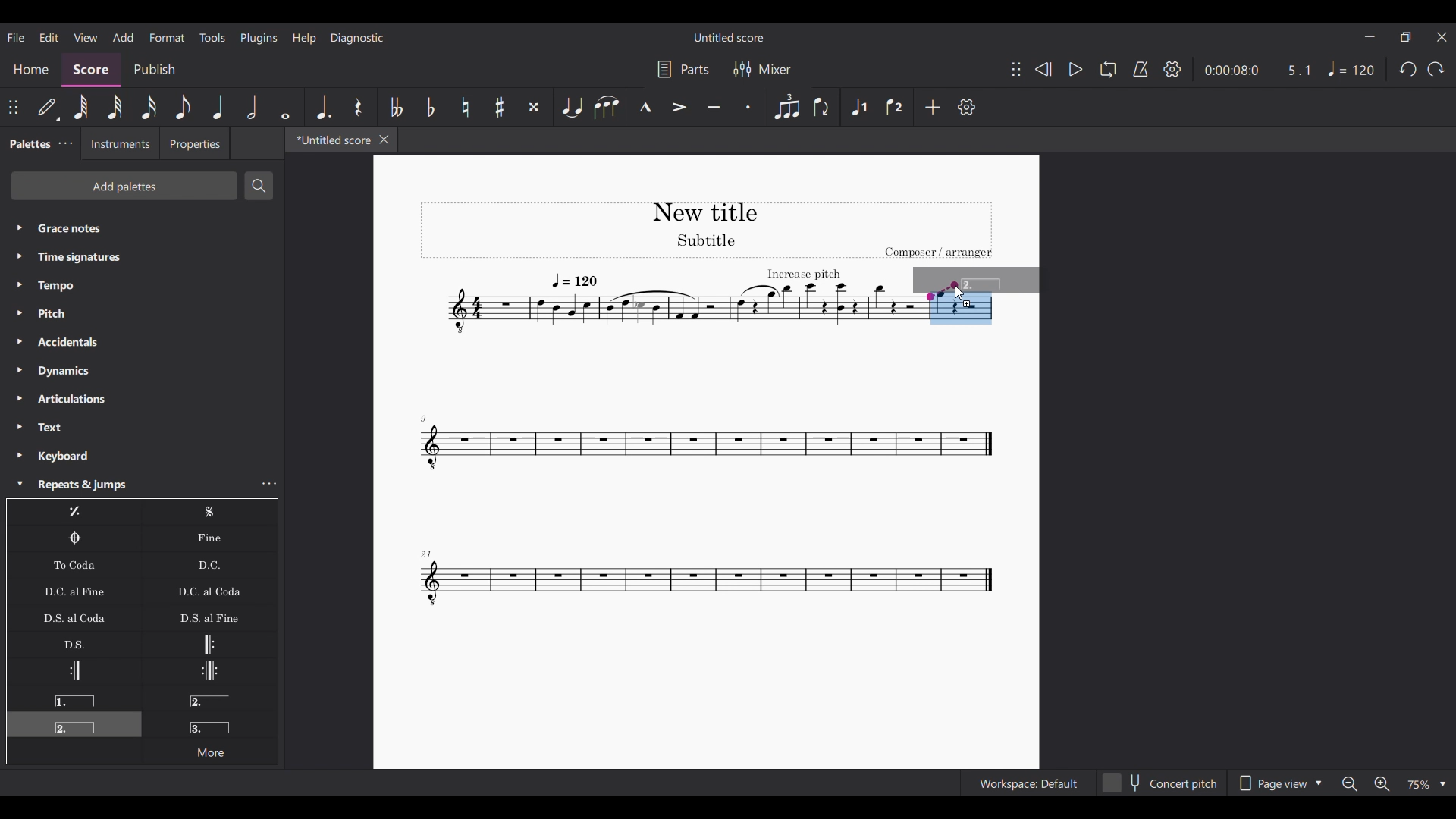 The image size is (1456, 819). I want to click on D.C. al Coda, so click(210, 591).